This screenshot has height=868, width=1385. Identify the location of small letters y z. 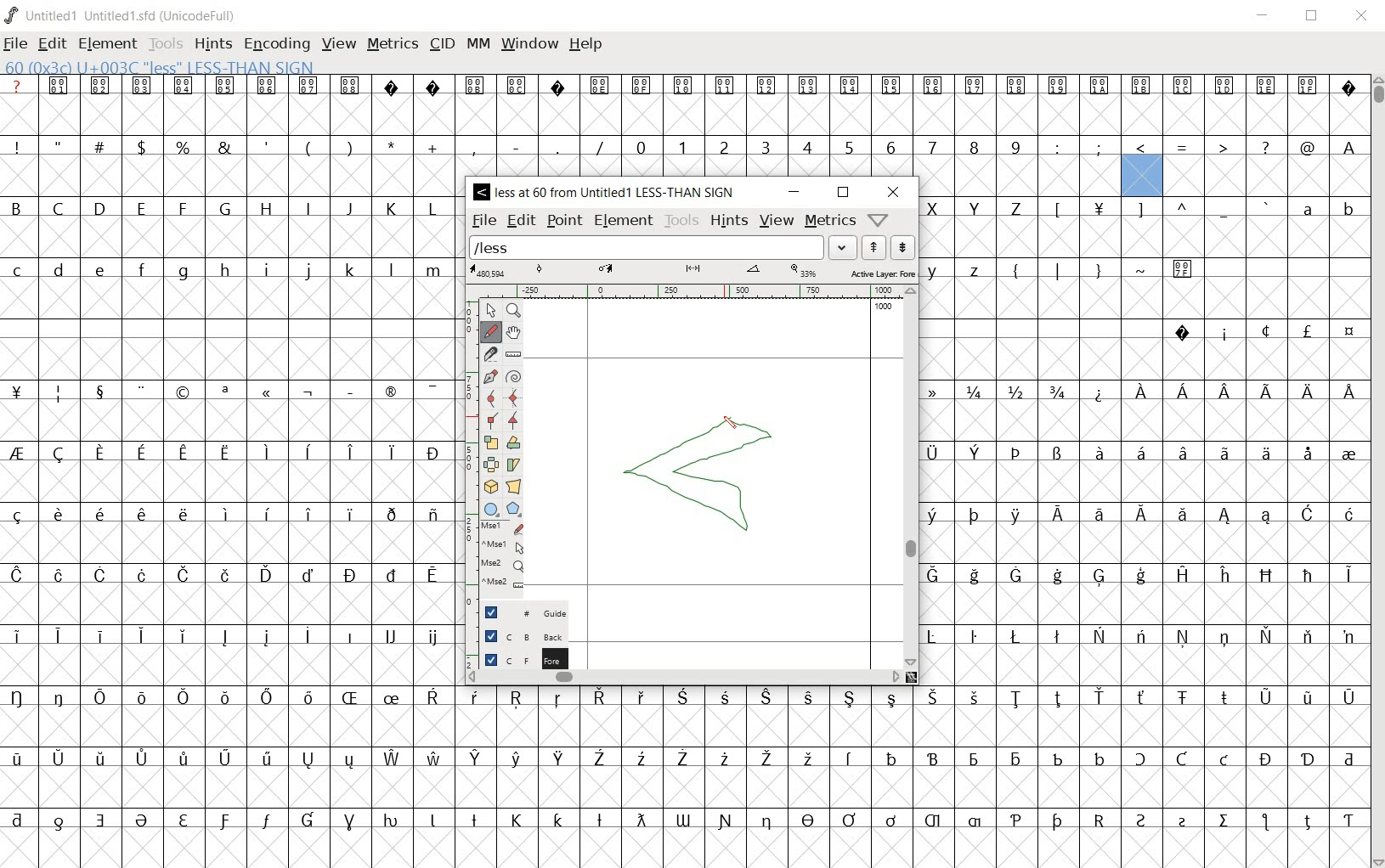
(961, 268).